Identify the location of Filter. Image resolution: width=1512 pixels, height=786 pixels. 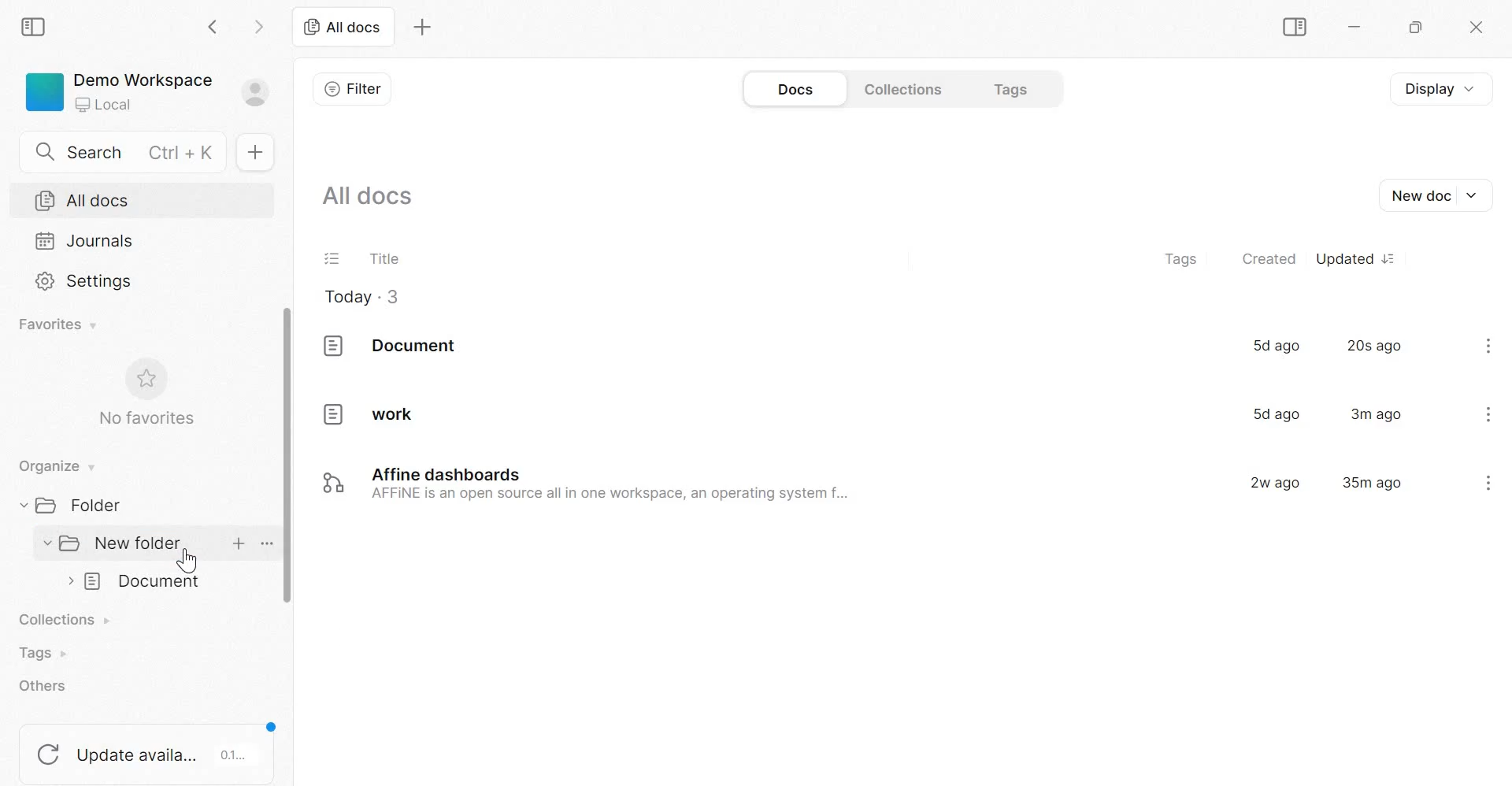
(354, 87).